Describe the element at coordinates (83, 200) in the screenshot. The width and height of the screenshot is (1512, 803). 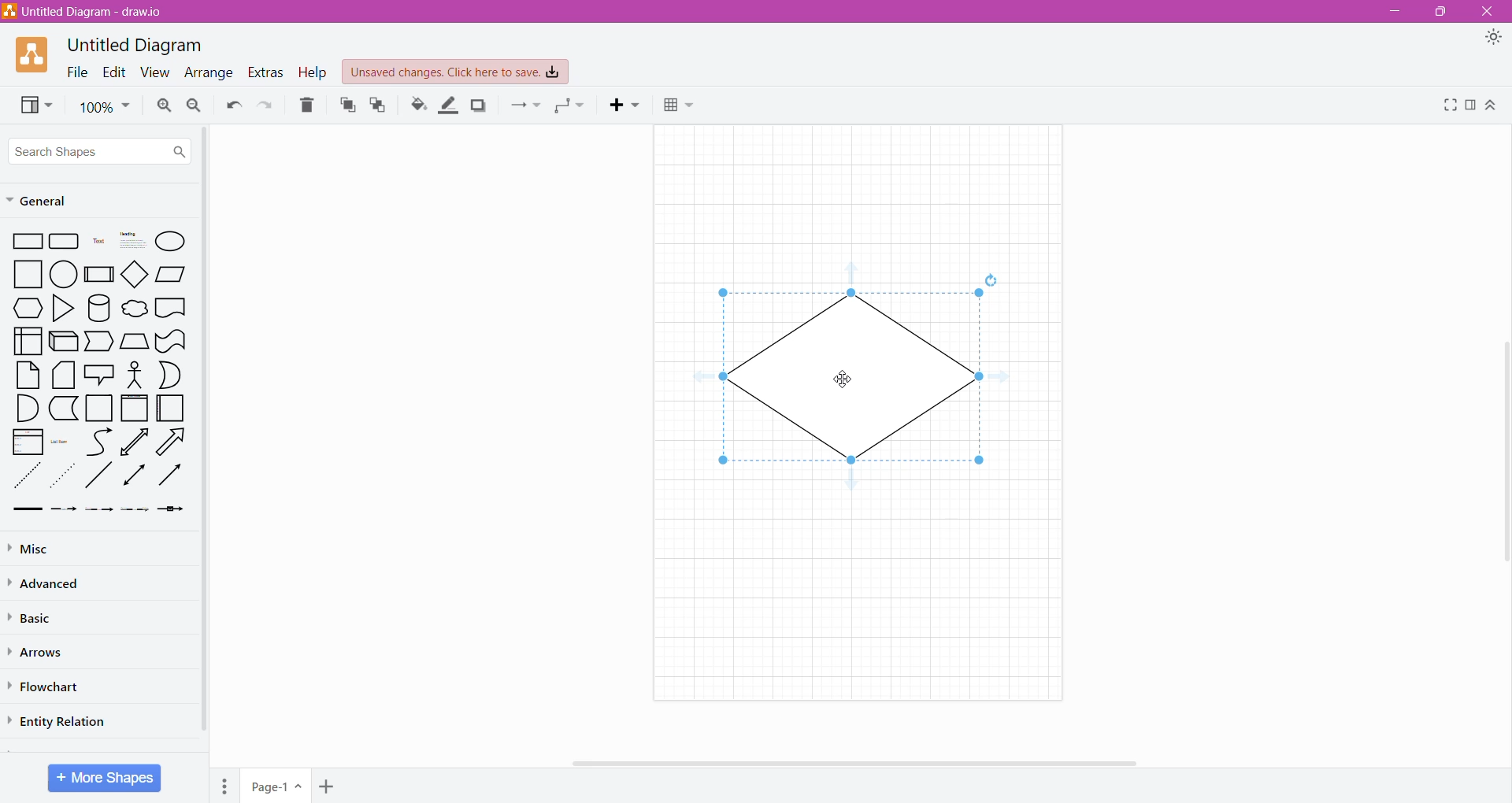
I see `General` at that location.